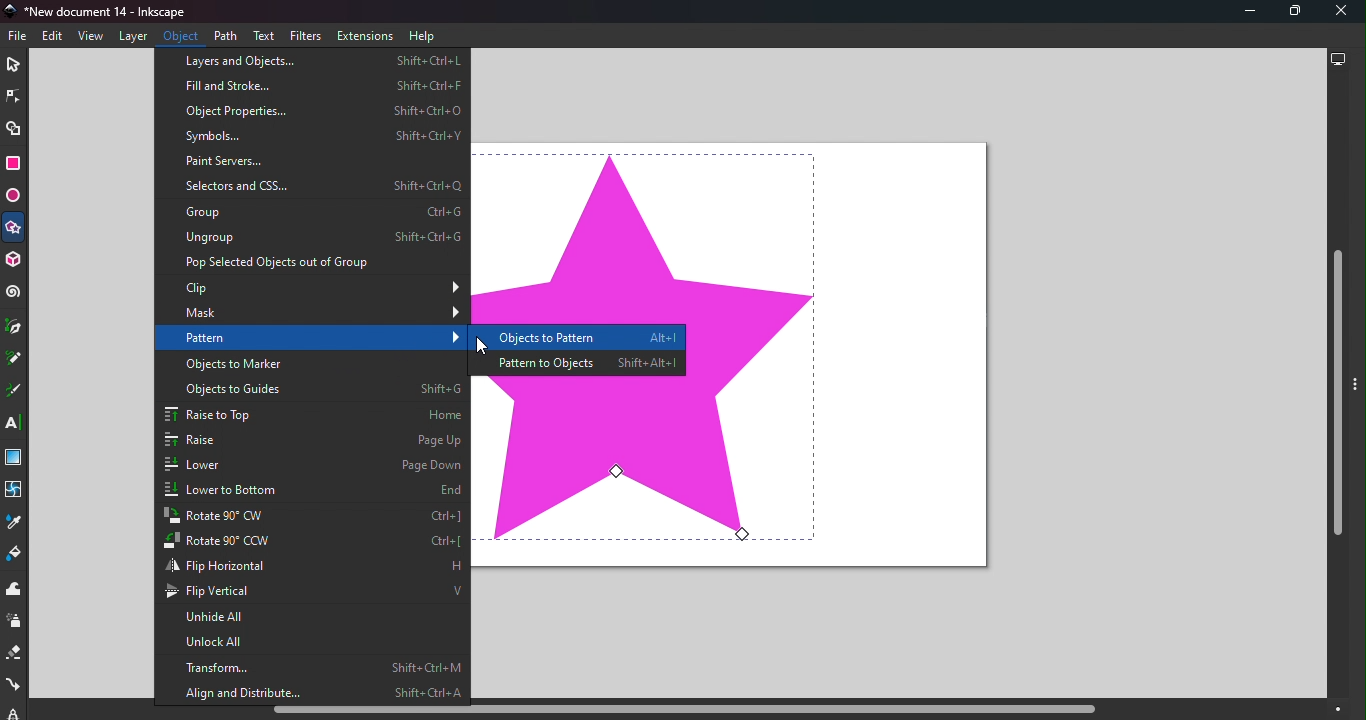 The height and width of the screenshot is (720, 1366). Describe the element at coordinates (16, 495) in the screenshot. I see `Mesh tool` at that location.